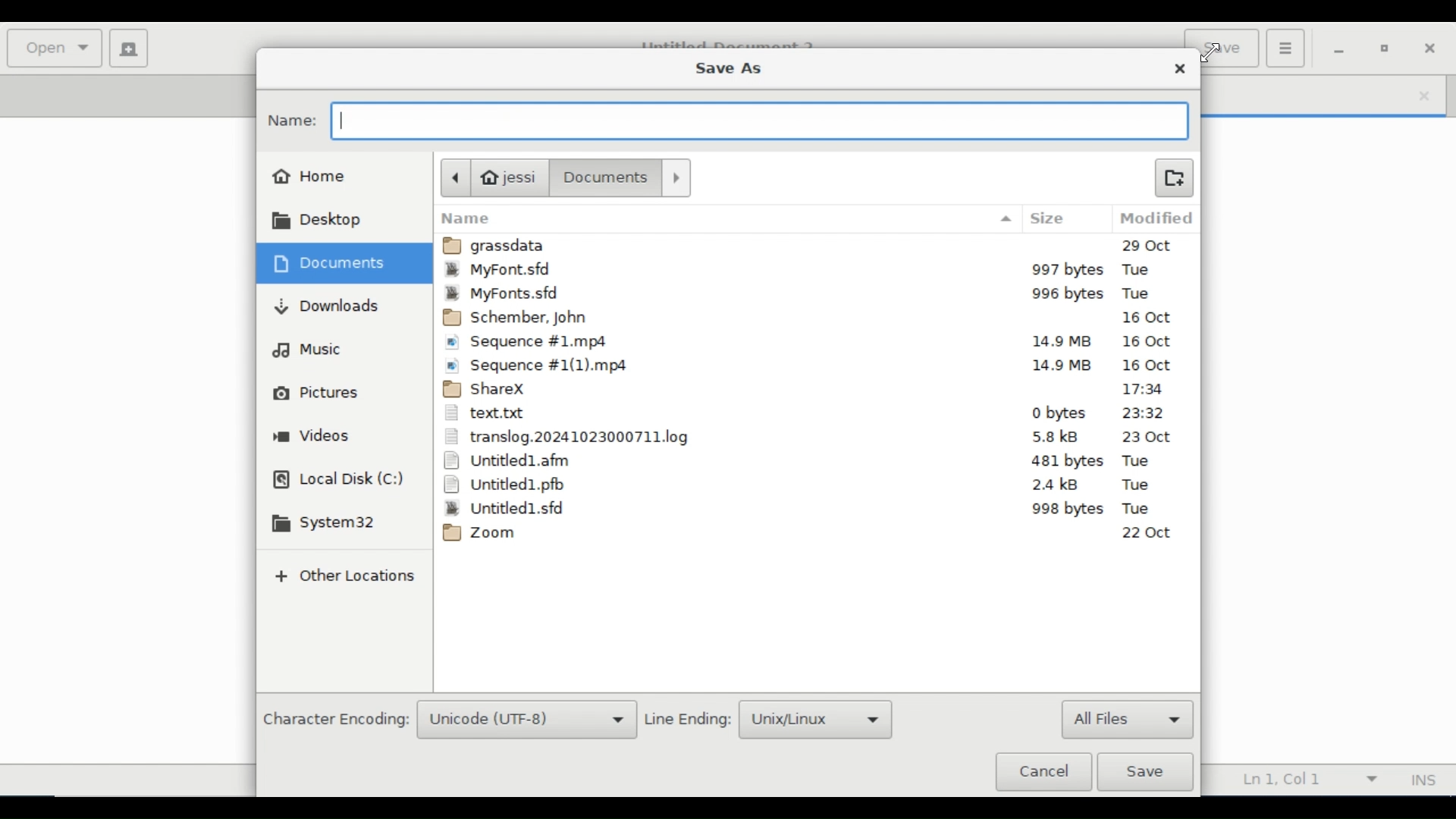 Image resolution: width=1456 pixels, height=819 pixels. I want to click on Create Folder, so click(1173, 177).